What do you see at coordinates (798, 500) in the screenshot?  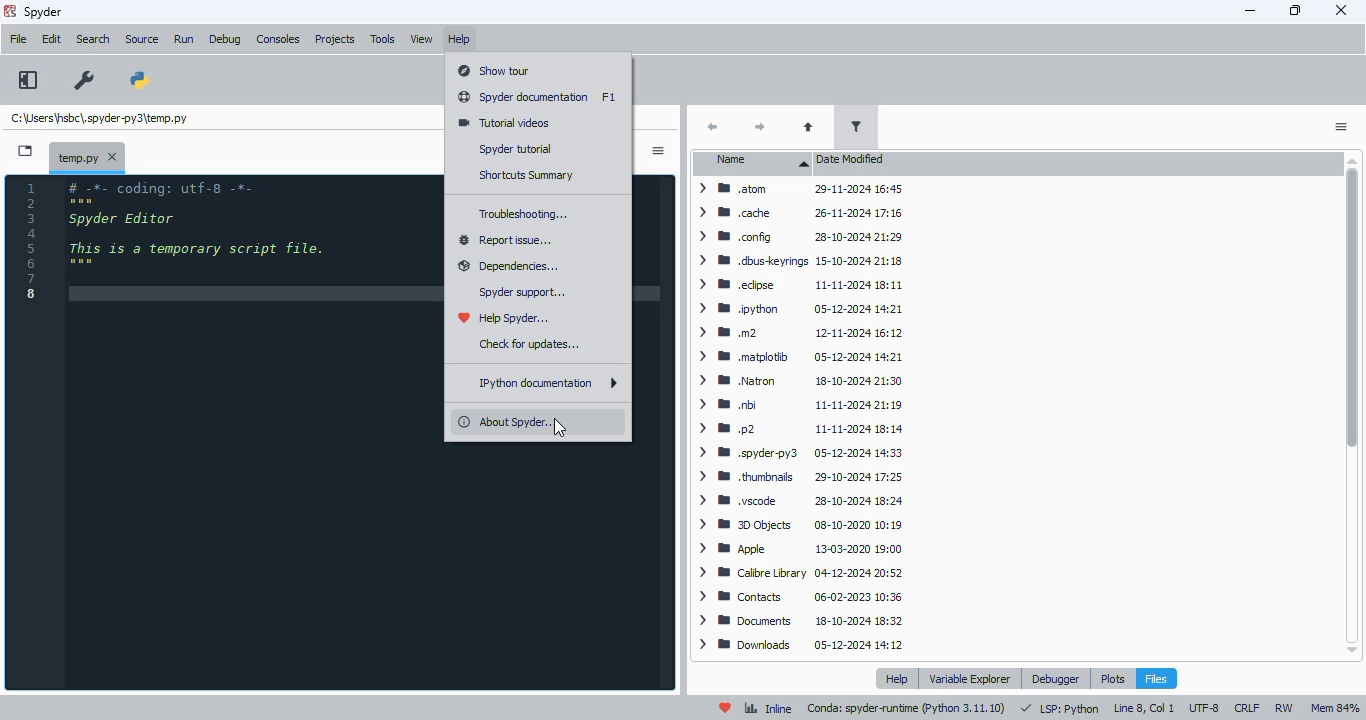 I see `> BB .vscode 28-10-2024 18:24` at bounding box center [798, 500].